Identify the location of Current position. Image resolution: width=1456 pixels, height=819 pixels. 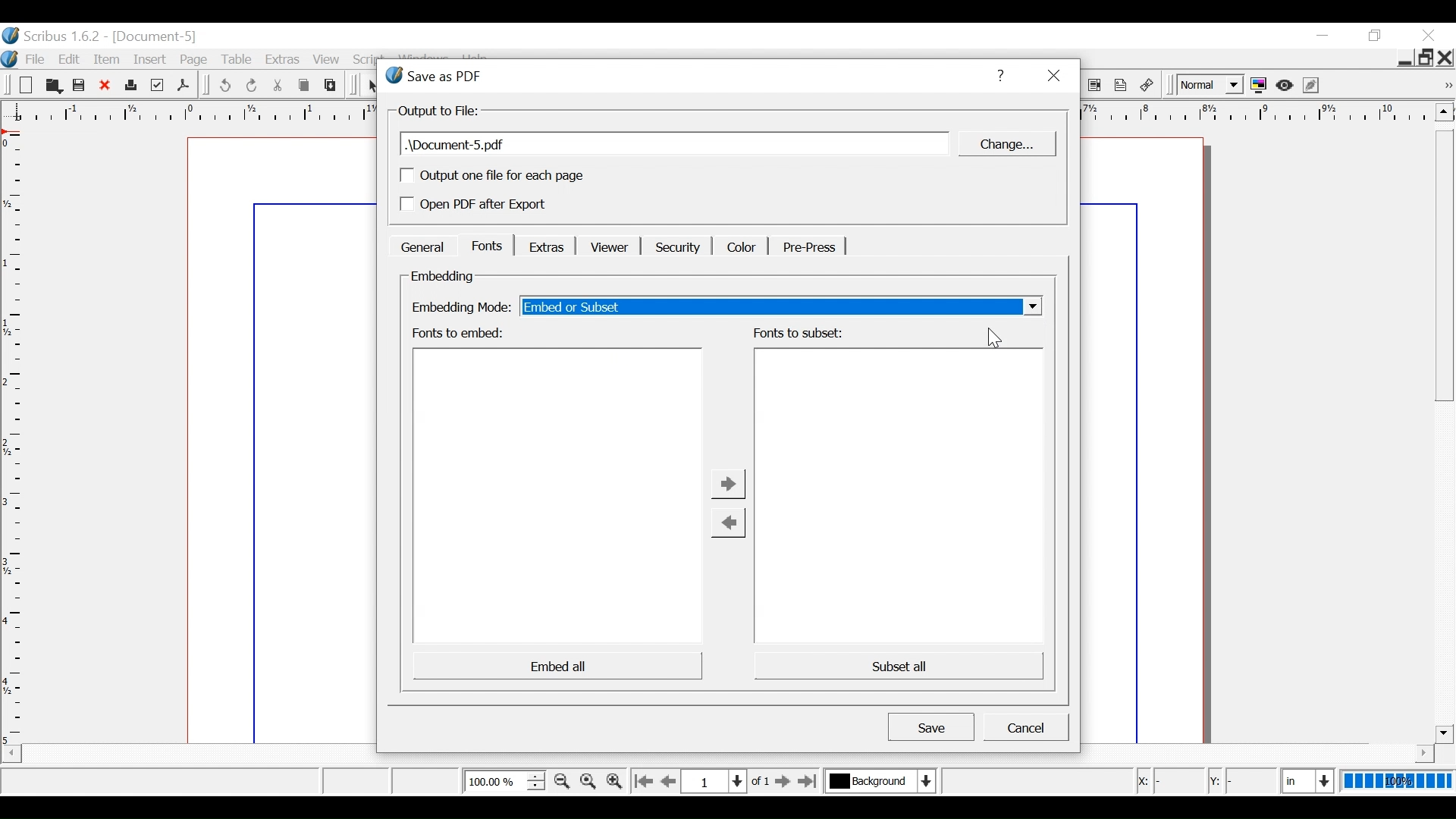
(730, 780).